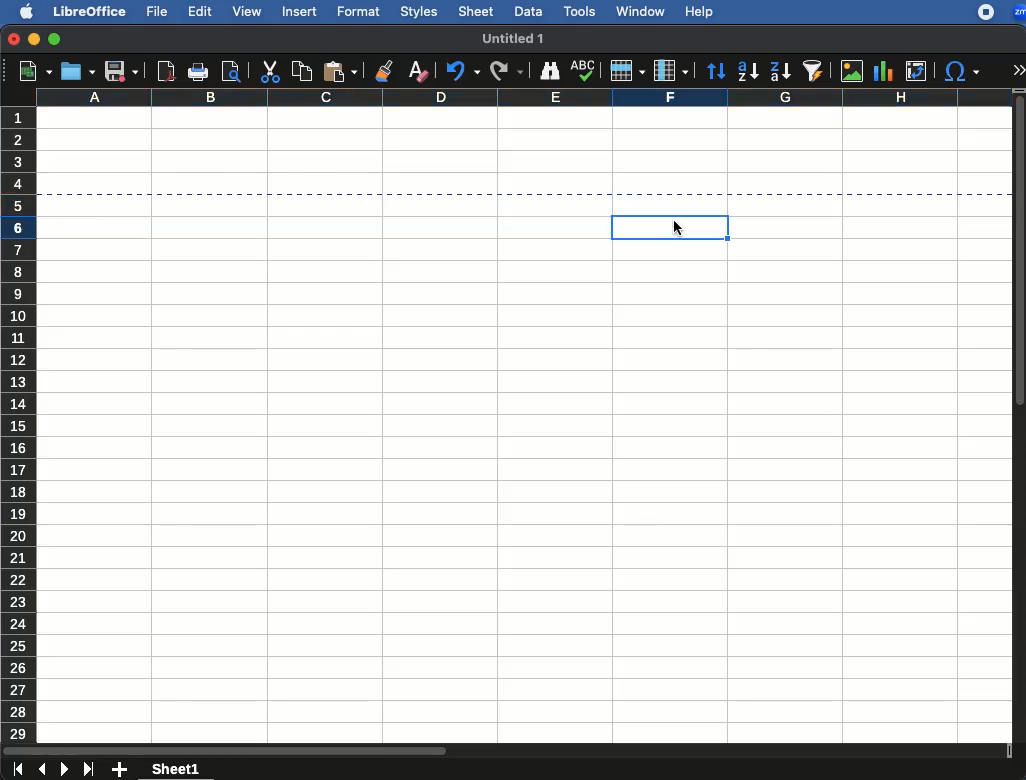 The width and height of the screenshot is (1026, 780). What do you see at coordinates (550, 71) in the screenshot?
I see `finder` at bounding box center [550, 71].